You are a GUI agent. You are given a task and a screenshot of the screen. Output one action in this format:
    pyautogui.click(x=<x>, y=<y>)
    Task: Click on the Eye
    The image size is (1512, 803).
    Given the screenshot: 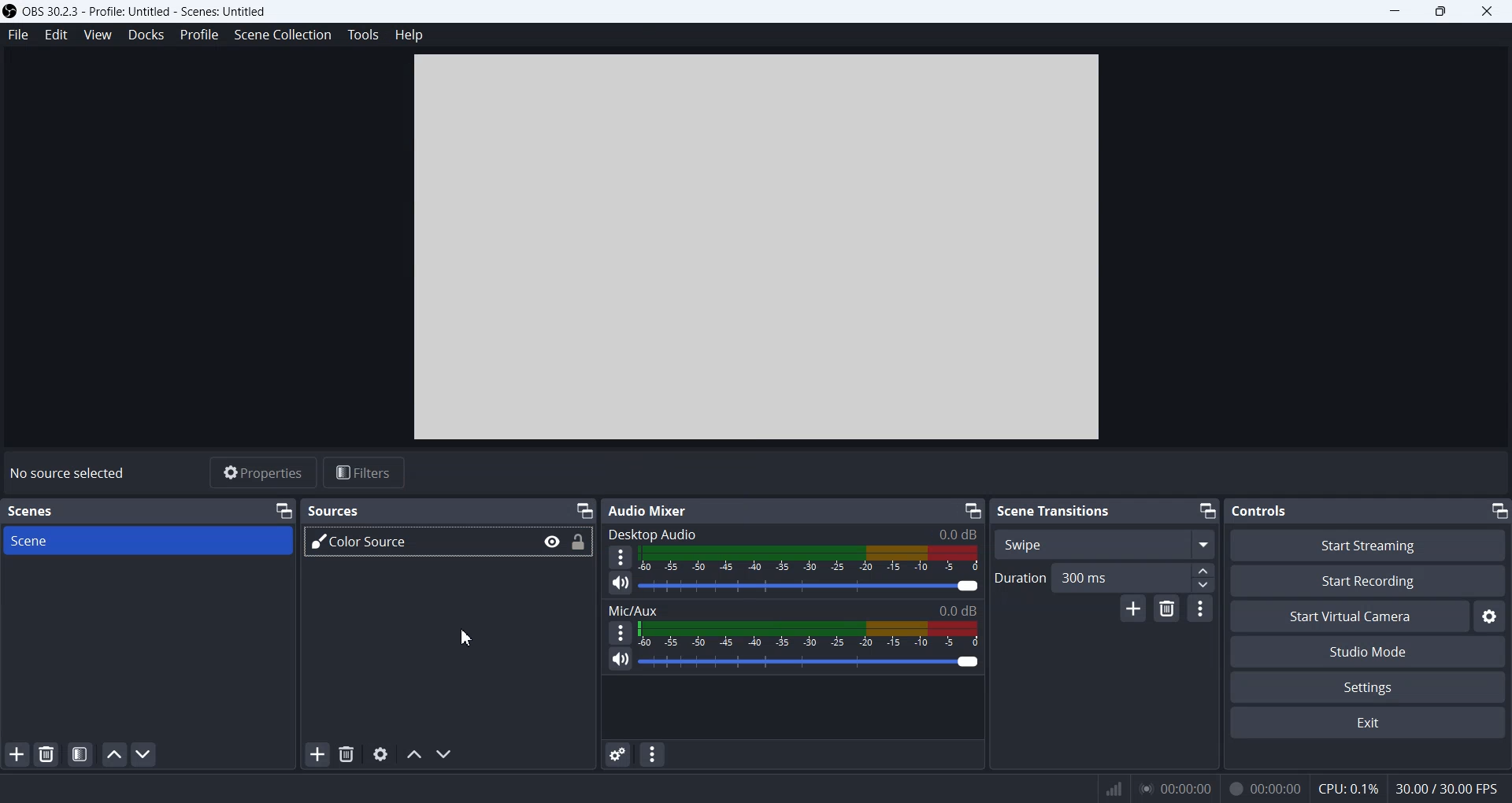 What is the action you would take?
    pyautogui.click(x=553, y=542)
    